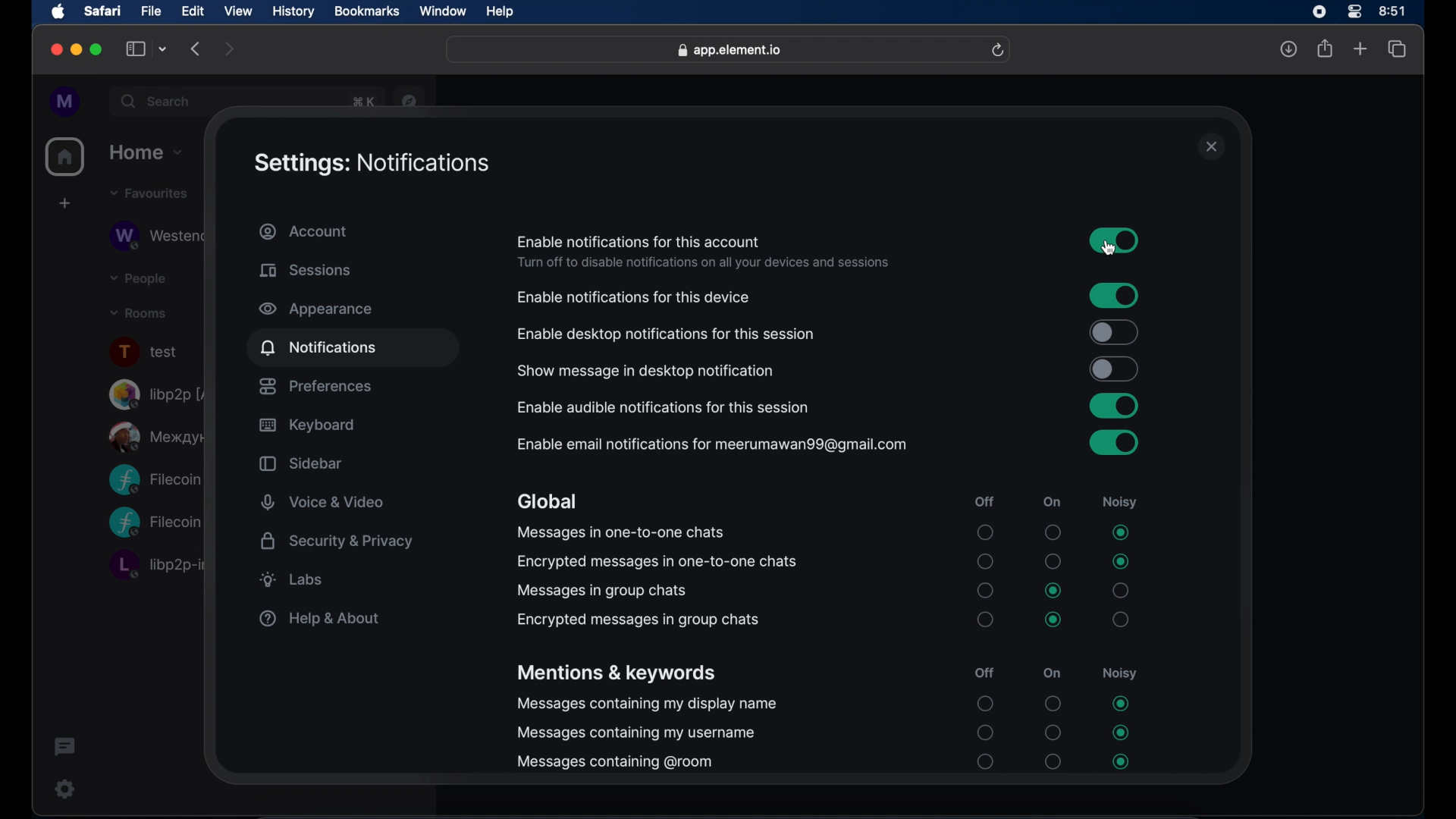 This screenshot has height=819, width=1456. I want to click on messages containing my username, so click(637, 734).